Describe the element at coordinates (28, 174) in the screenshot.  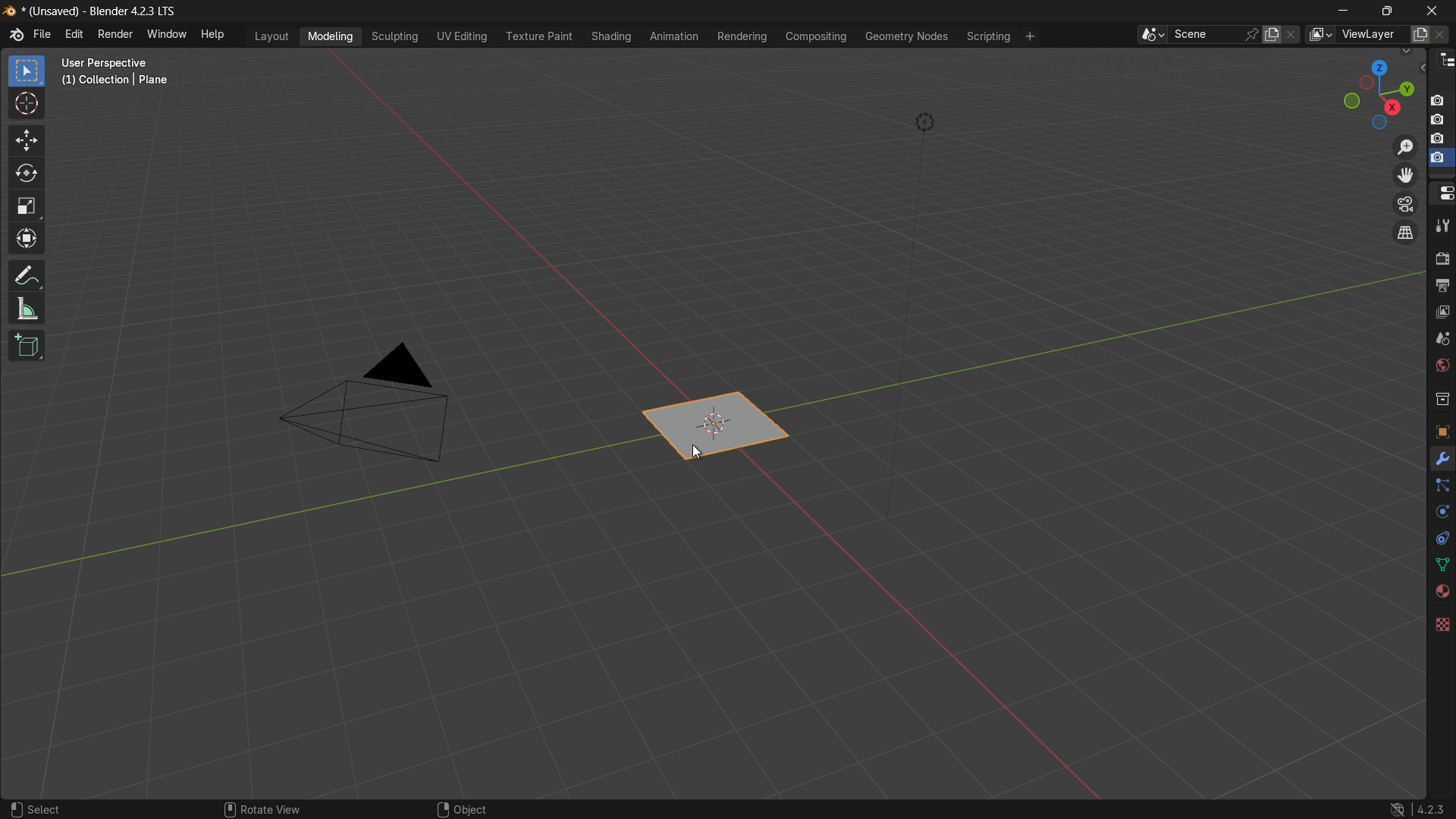
I see `rotate` at that location.